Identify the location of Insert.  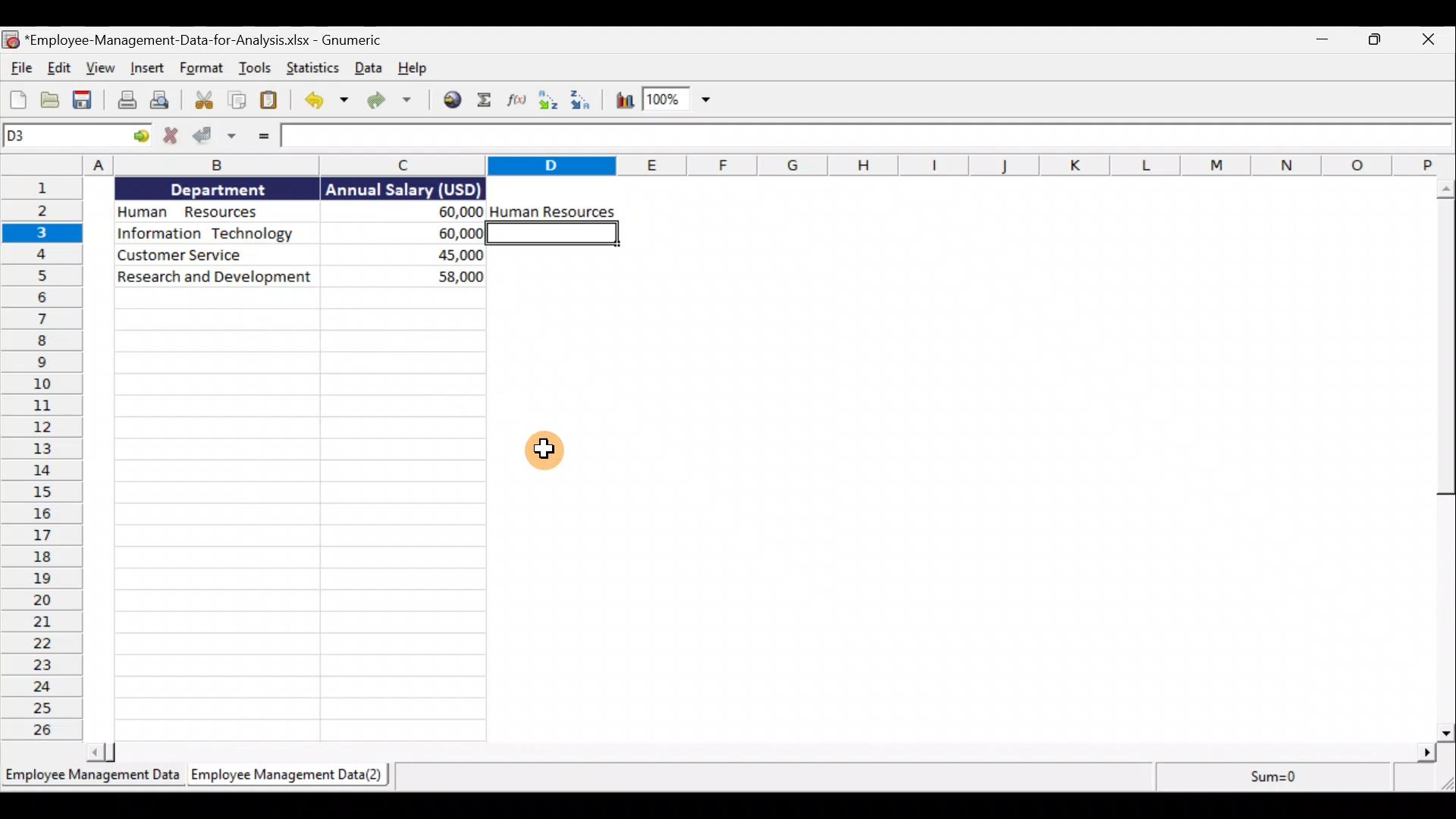
(146, 65).